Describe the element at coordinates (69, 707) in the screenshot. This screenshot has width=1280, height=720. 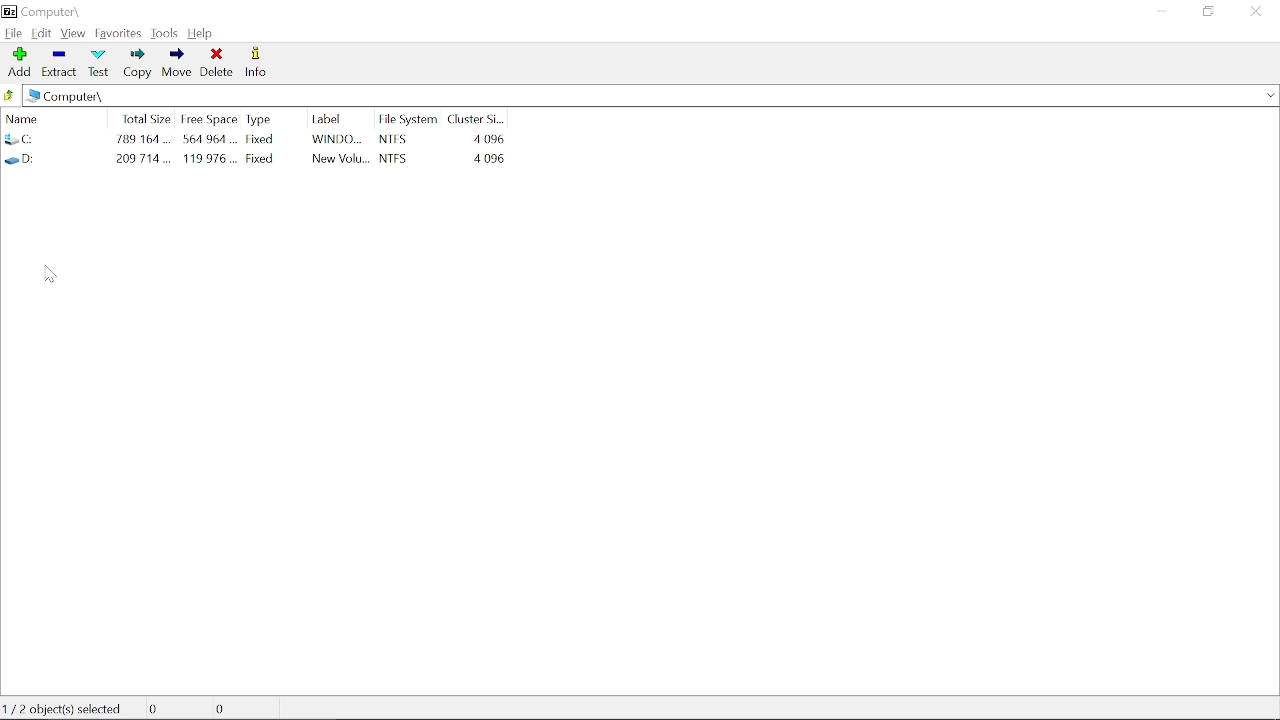
I see `0/2 objectis) selected` at that location.